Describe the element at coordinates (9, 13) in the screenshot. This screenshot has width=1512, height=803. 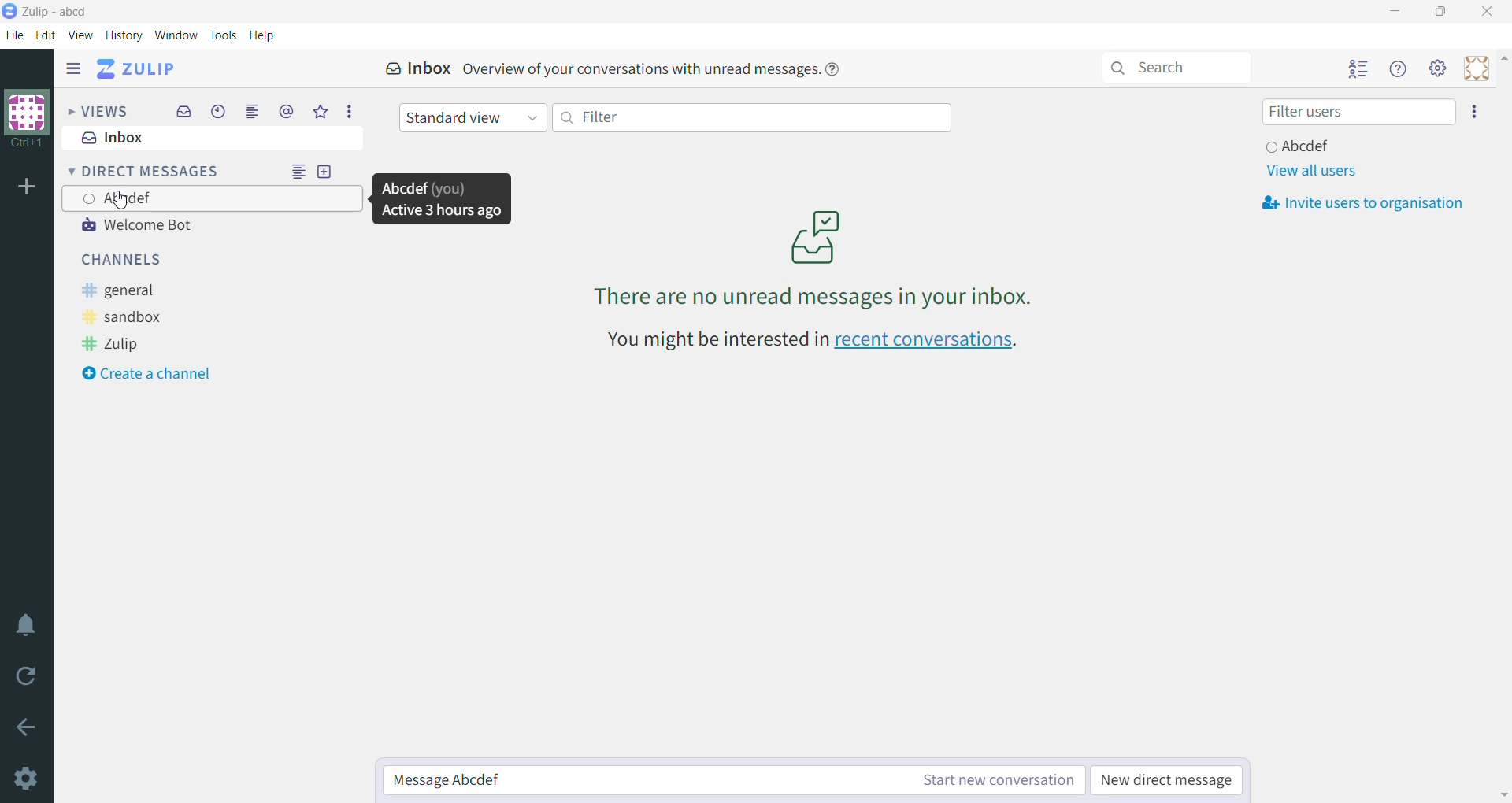
I see `Application Logo` at that location.